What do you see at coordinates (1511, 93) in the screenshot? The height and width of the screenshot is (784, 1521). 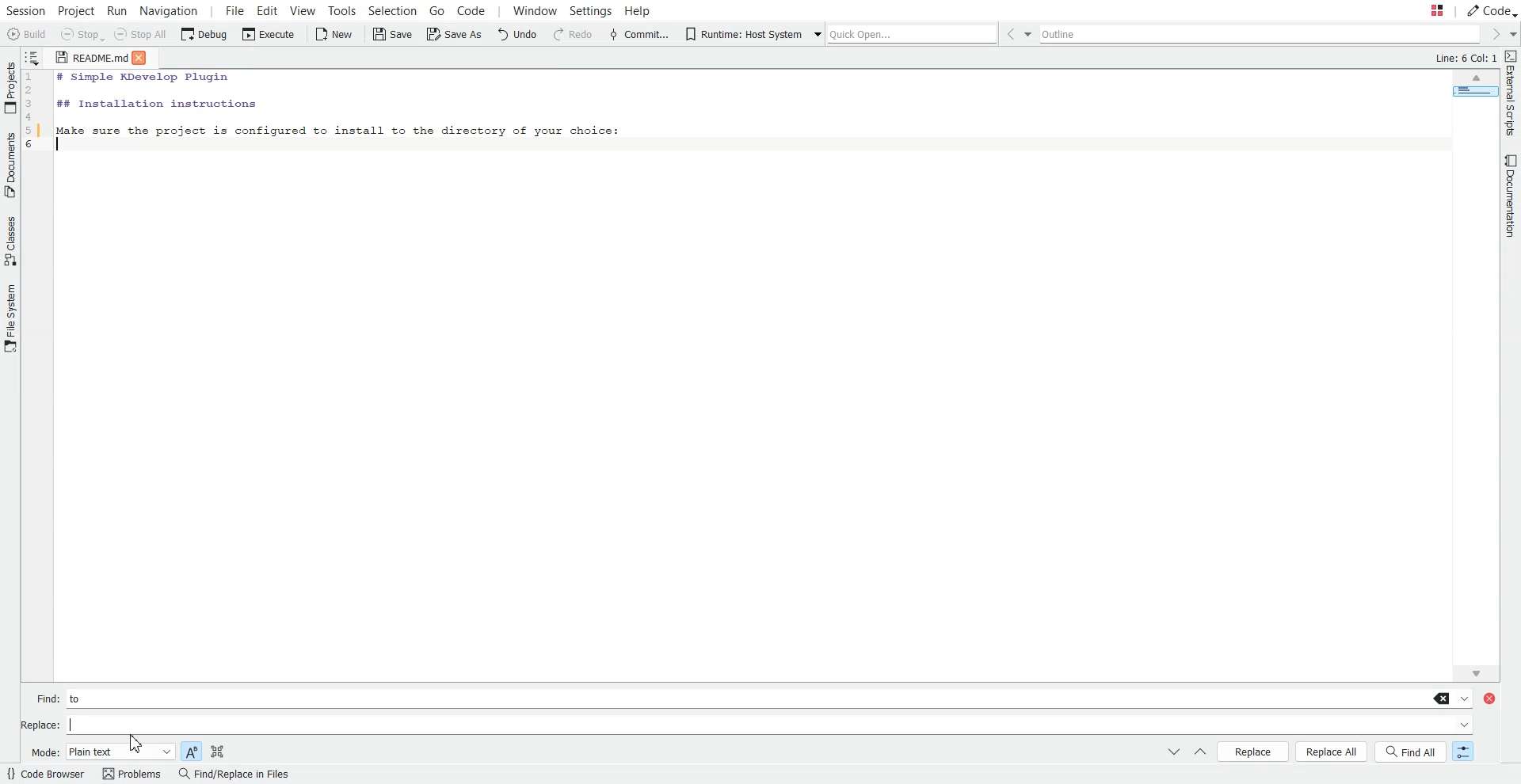 I see `External Scripts` at bounding box center [1511, 93].